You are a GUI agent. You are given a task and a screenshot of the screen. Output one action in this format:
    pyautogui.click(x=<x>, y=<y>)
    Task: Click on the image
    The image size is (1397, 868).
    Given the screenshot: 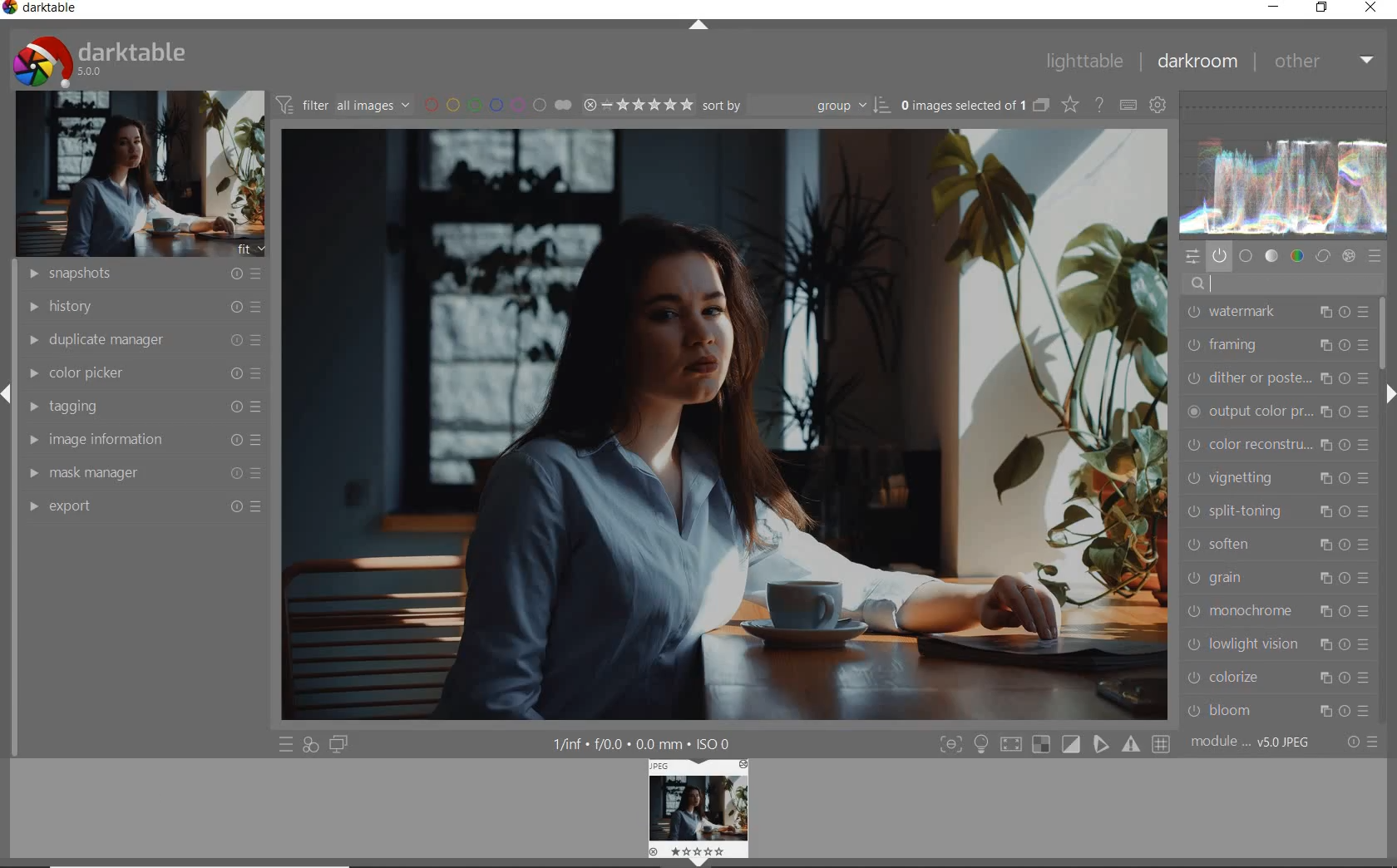 What is the action you would take?
    pyautogui.click(x=134, y=175)
    